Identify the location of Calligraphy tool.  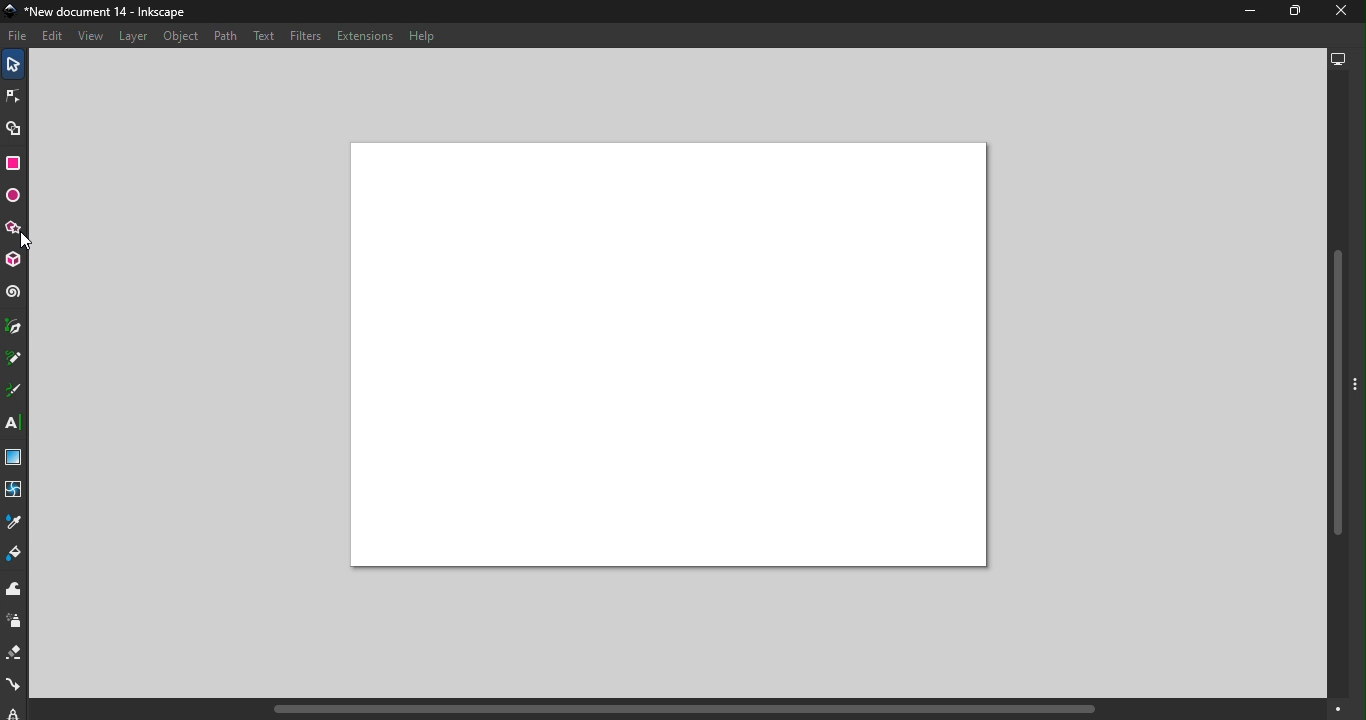
(17, 391).